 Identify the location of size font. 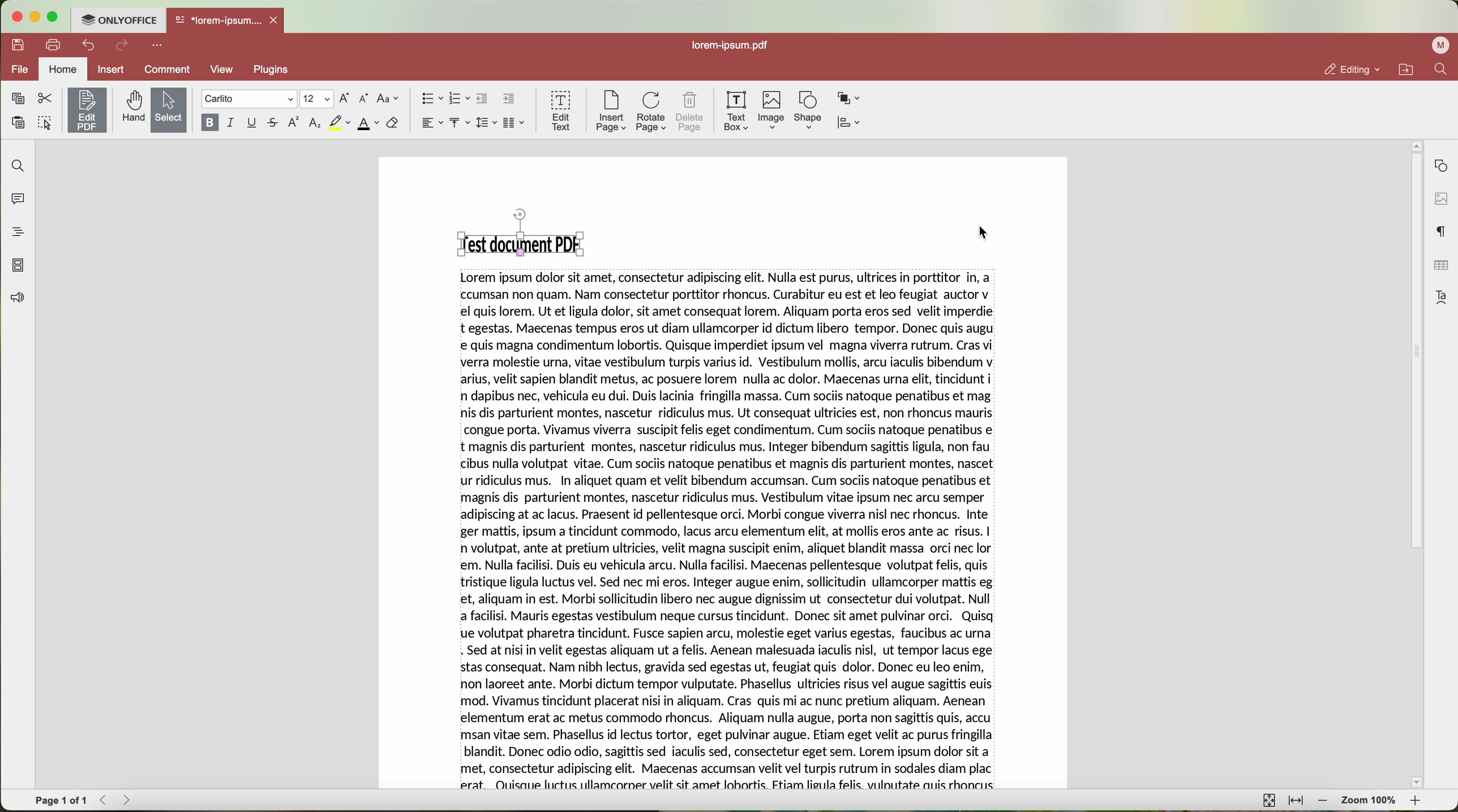
(315, 99).